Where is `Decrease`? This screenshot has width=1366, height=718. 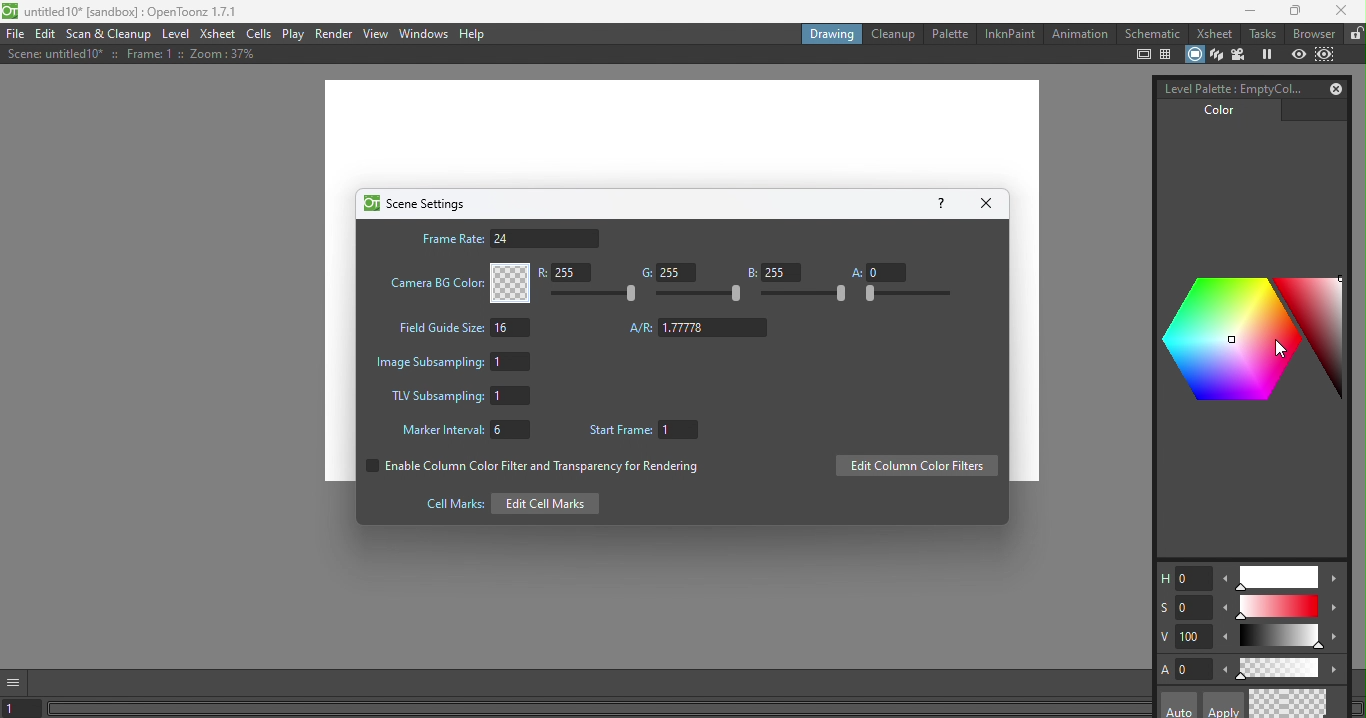 Decrease is located at coordinates (1225, 611).